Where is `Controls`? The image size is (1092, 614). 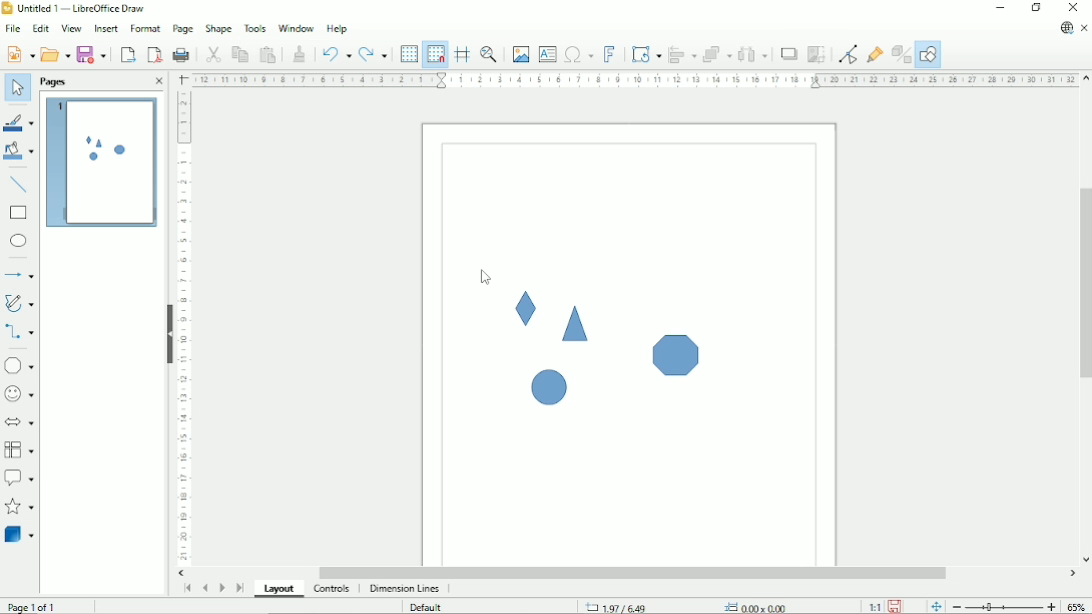
Controls is located at coordinates (332, 589).